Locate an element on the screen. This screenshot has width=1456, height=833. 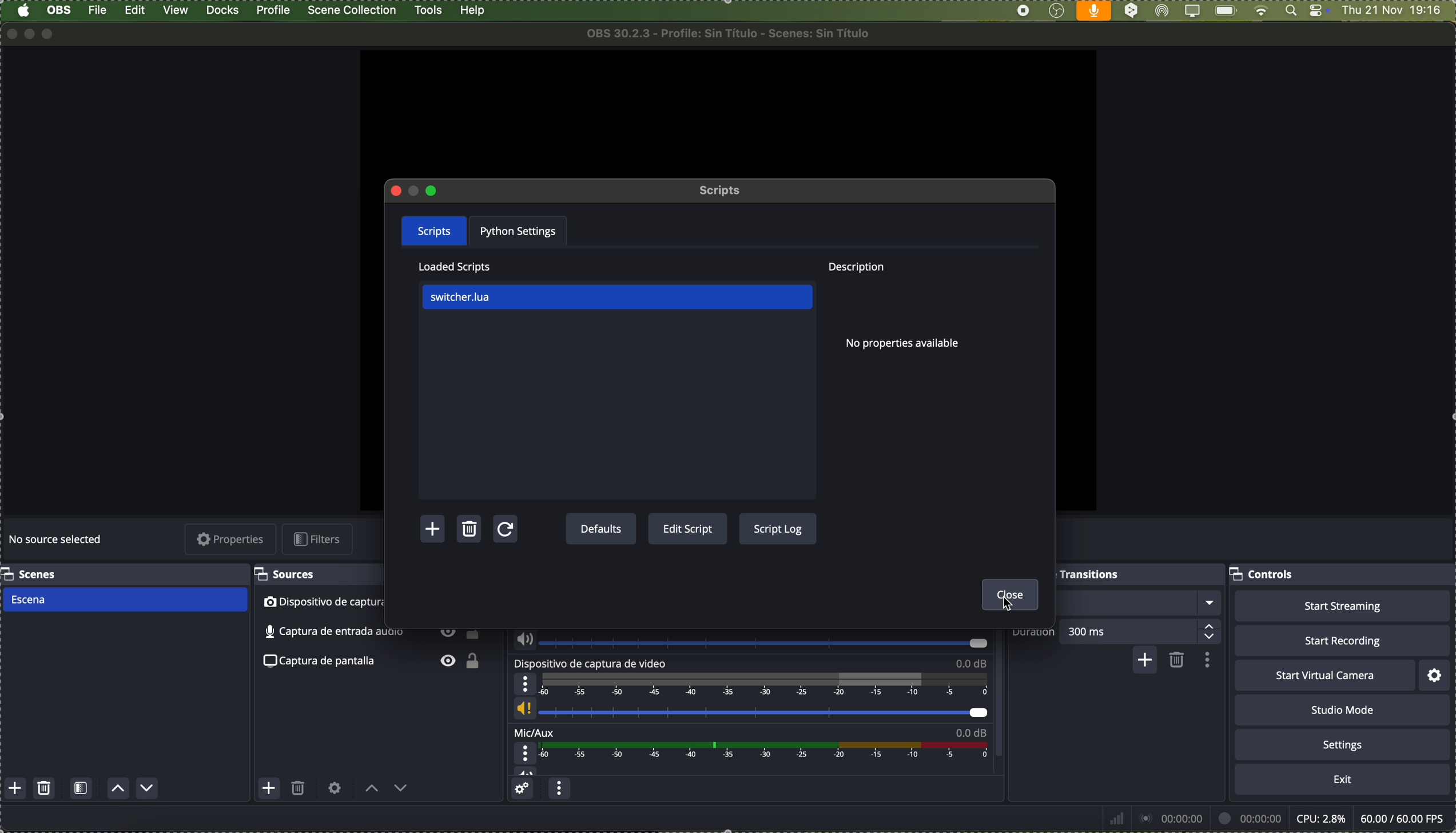
close program is located at coordinates (9, 33).